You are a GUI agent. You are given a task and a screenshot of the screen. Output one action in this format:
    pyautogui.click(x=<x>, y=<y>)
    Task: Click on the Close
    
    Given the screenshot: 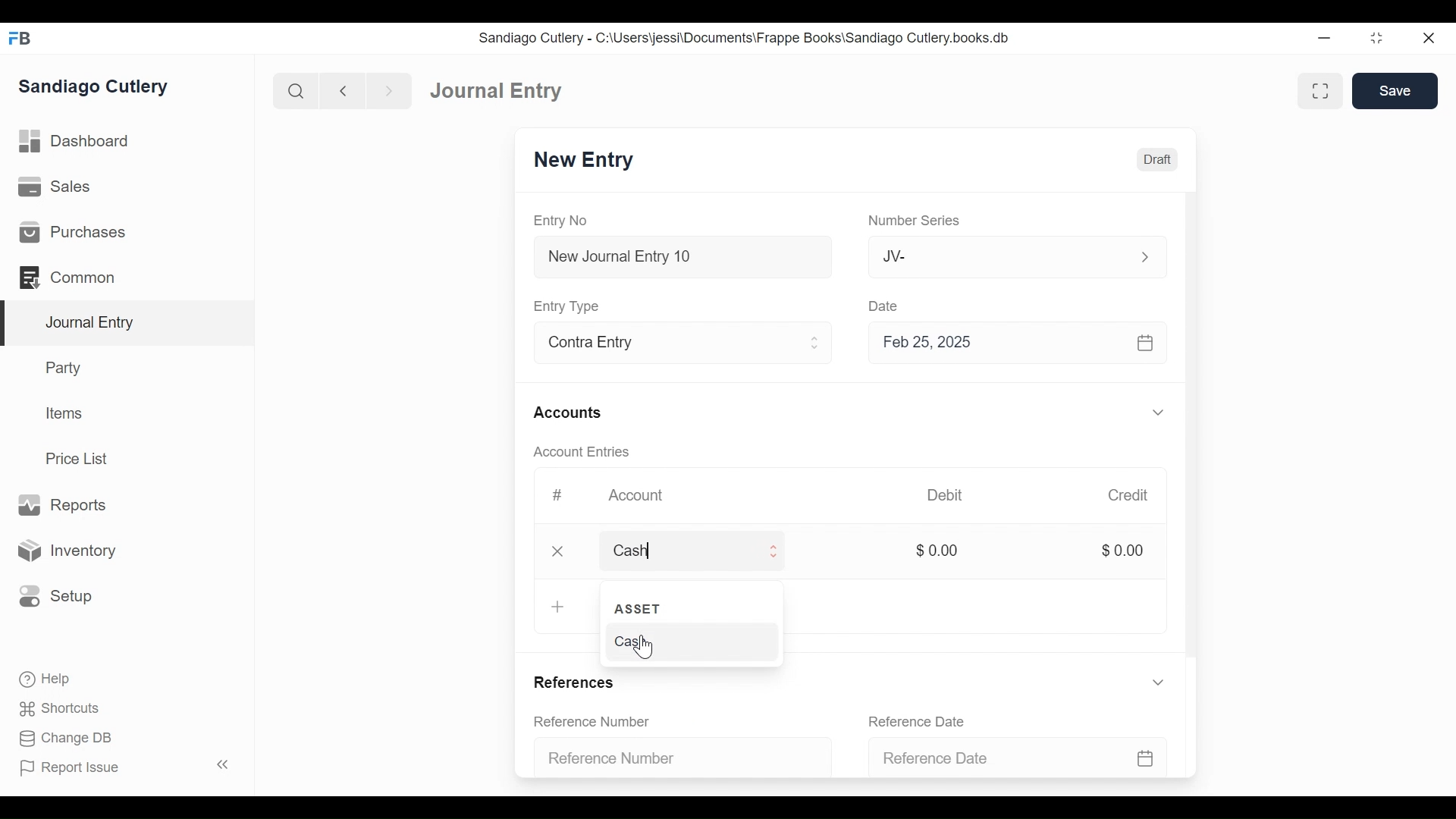 What is the action you would take?
    pyautogui.click(x=1427, y=39)
    